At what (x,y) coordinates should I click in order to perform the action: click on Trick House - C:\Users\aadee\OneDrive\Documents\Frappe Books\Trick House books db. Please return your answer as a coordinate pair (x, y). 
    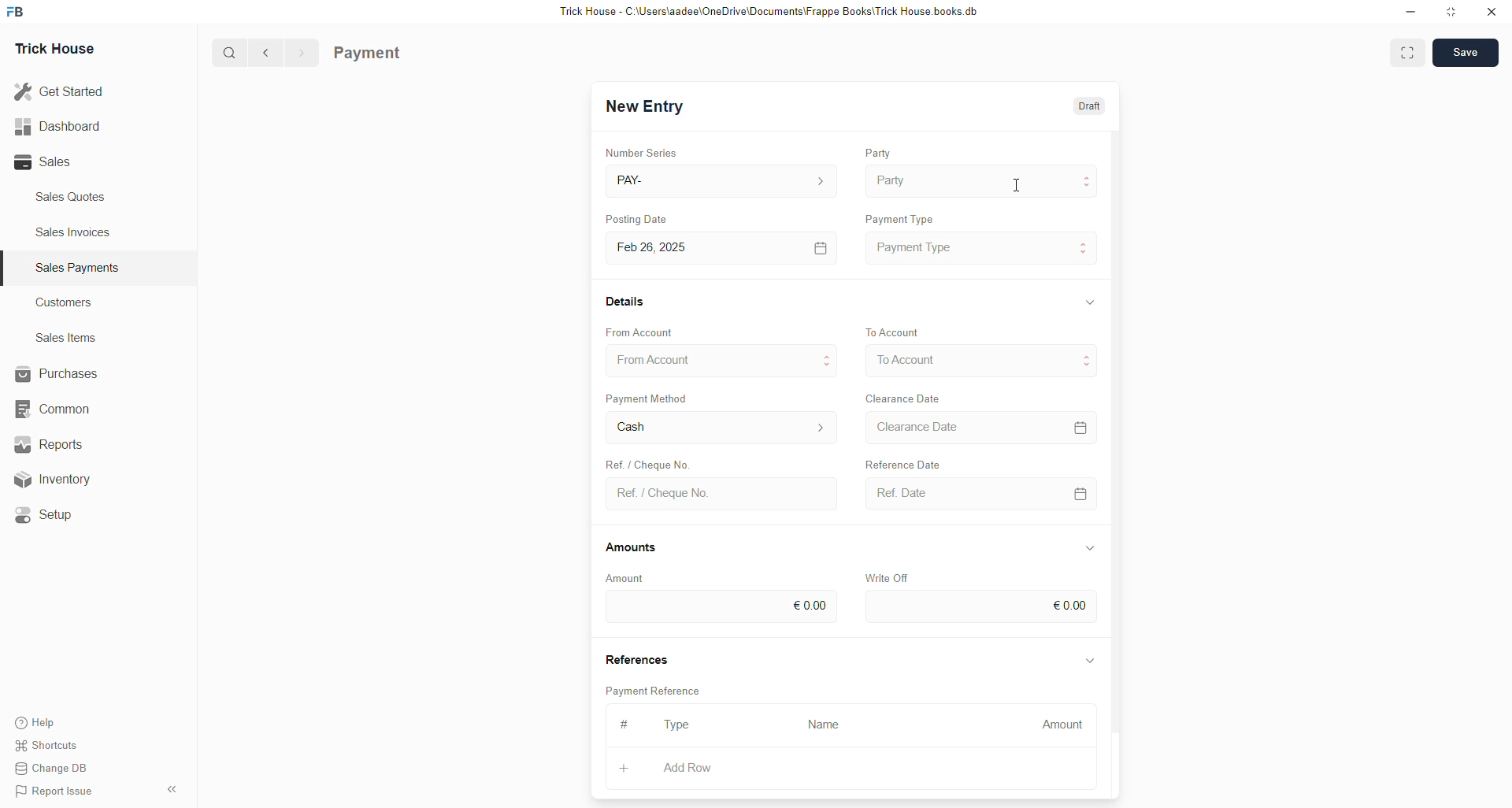
    Looking at the image, I should click on (770, 12).